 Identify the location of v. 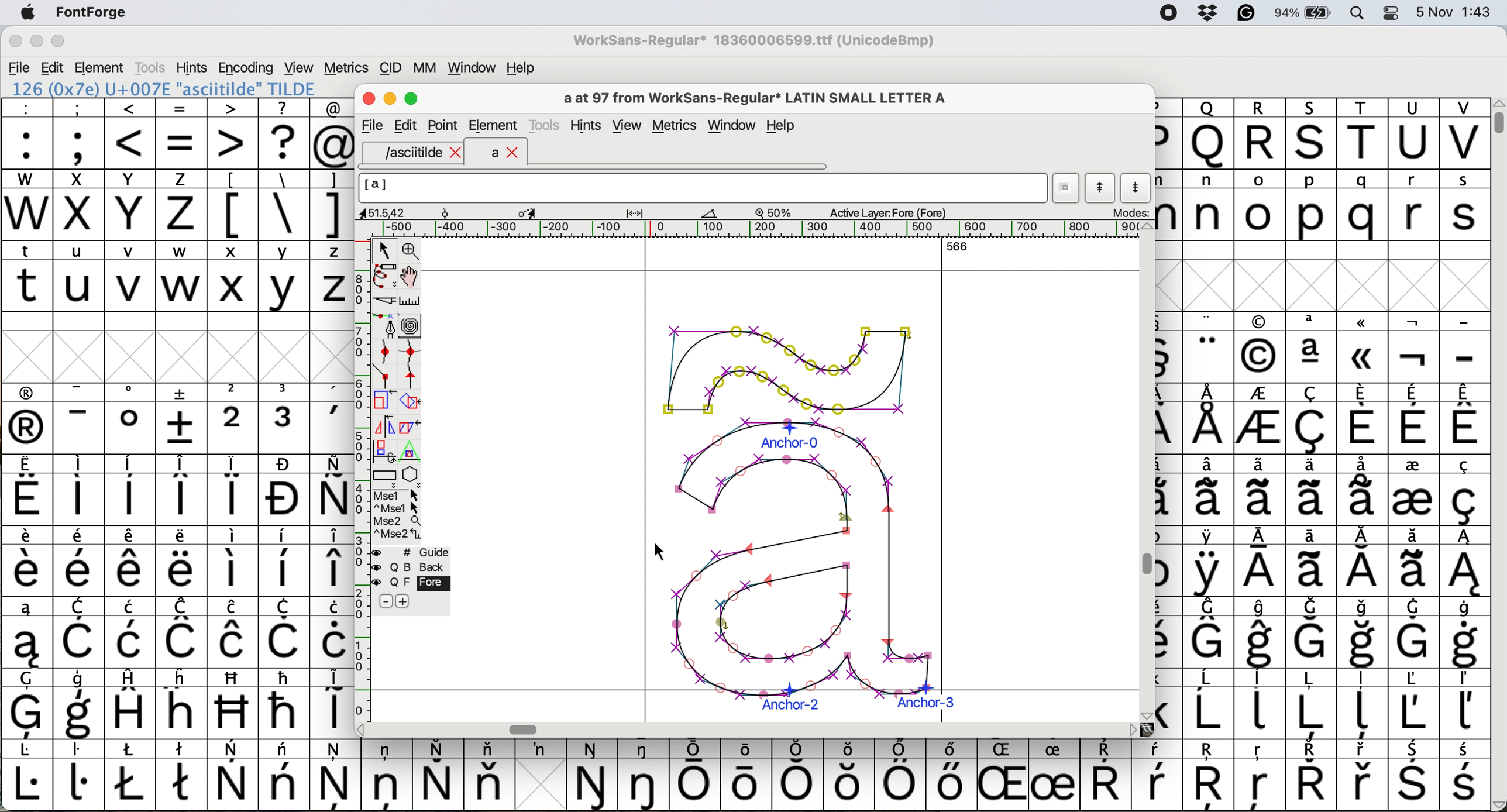
(130, 278).